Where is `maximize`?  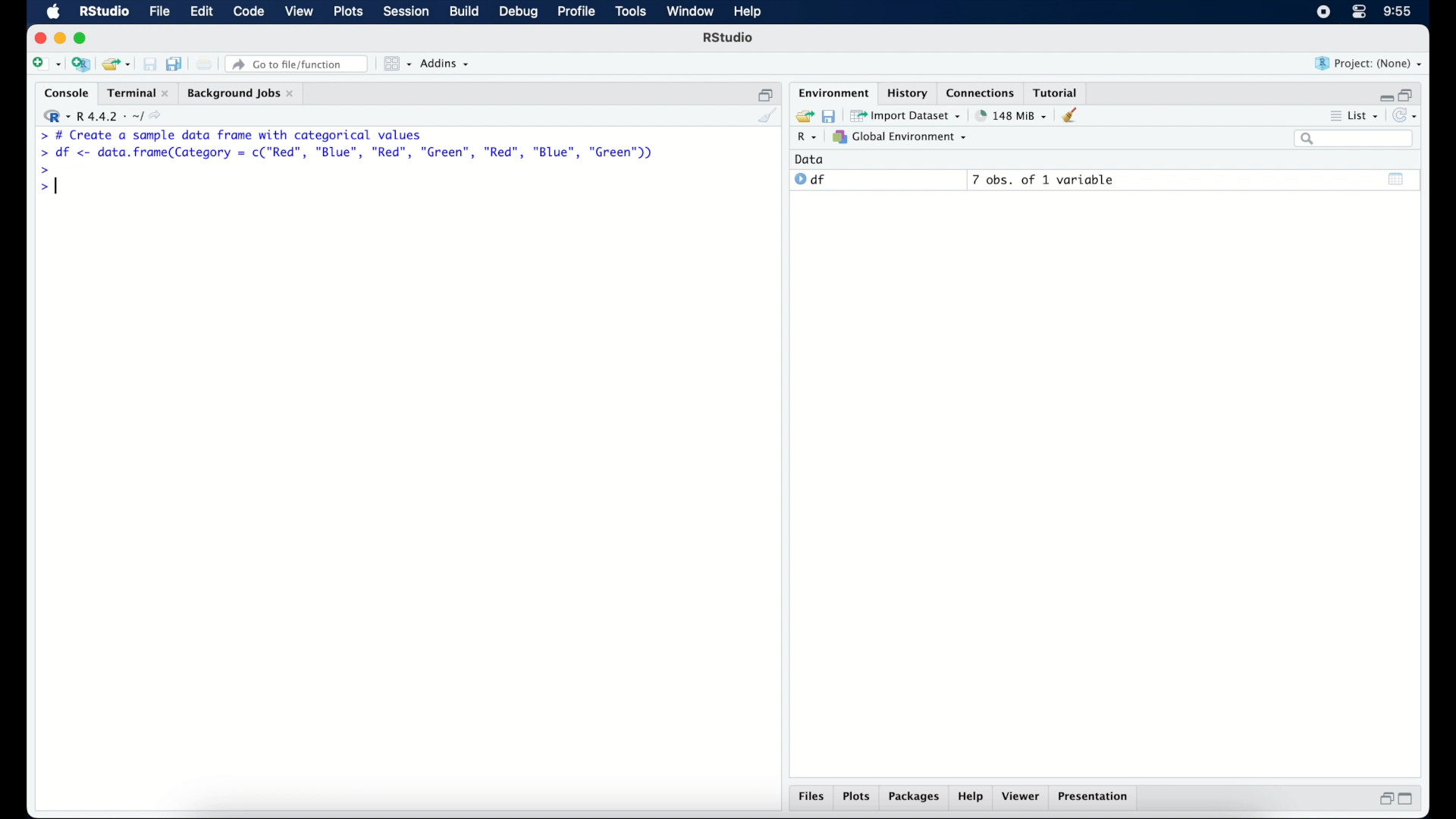
maximize is located at coordinates (1407, 801).